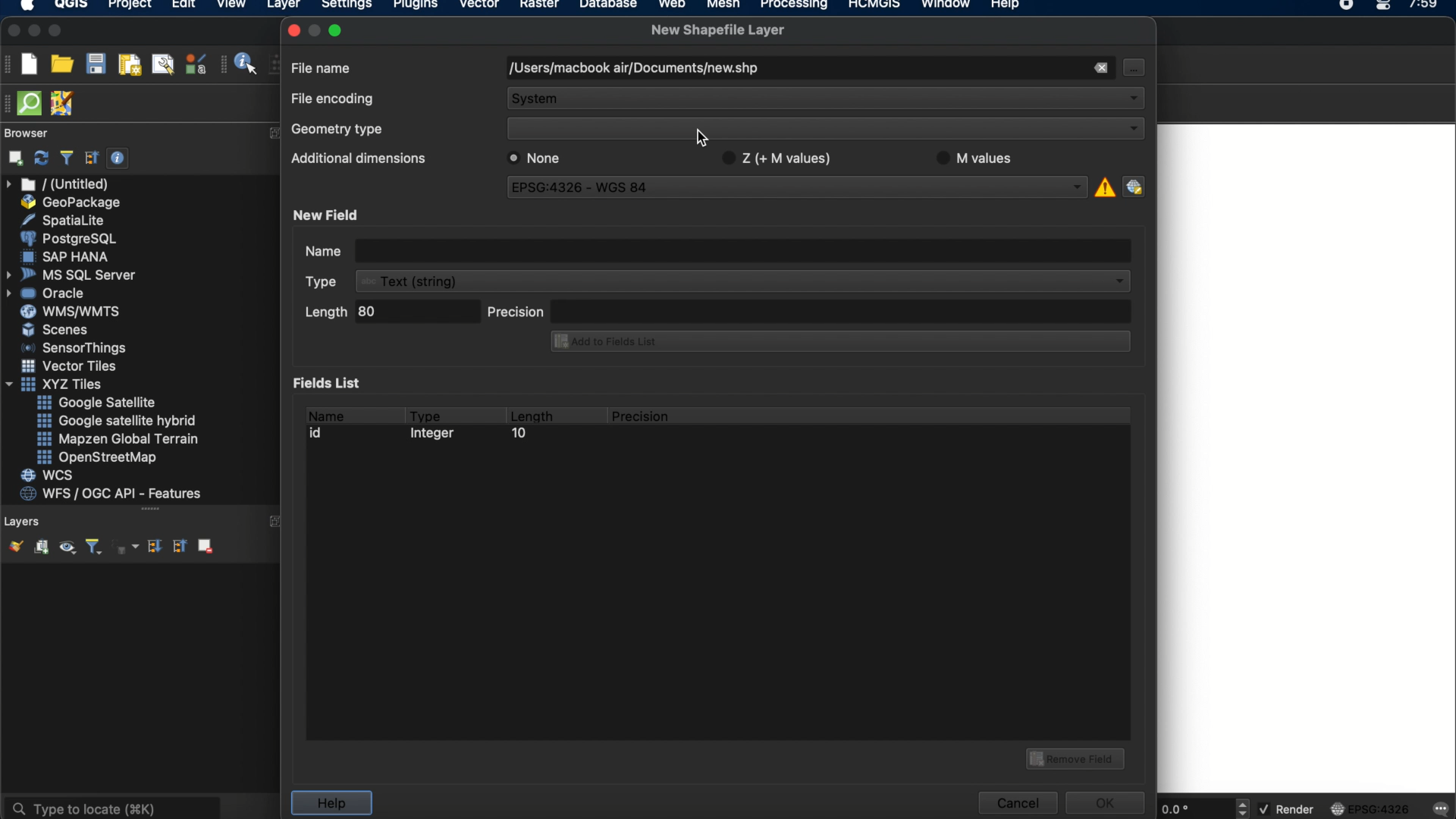 The height and width of the screenshot is (819, 1456). What do you see at coordinates (539, 158) in the screenshot?
I see `none` at bounding box center [539, 158].